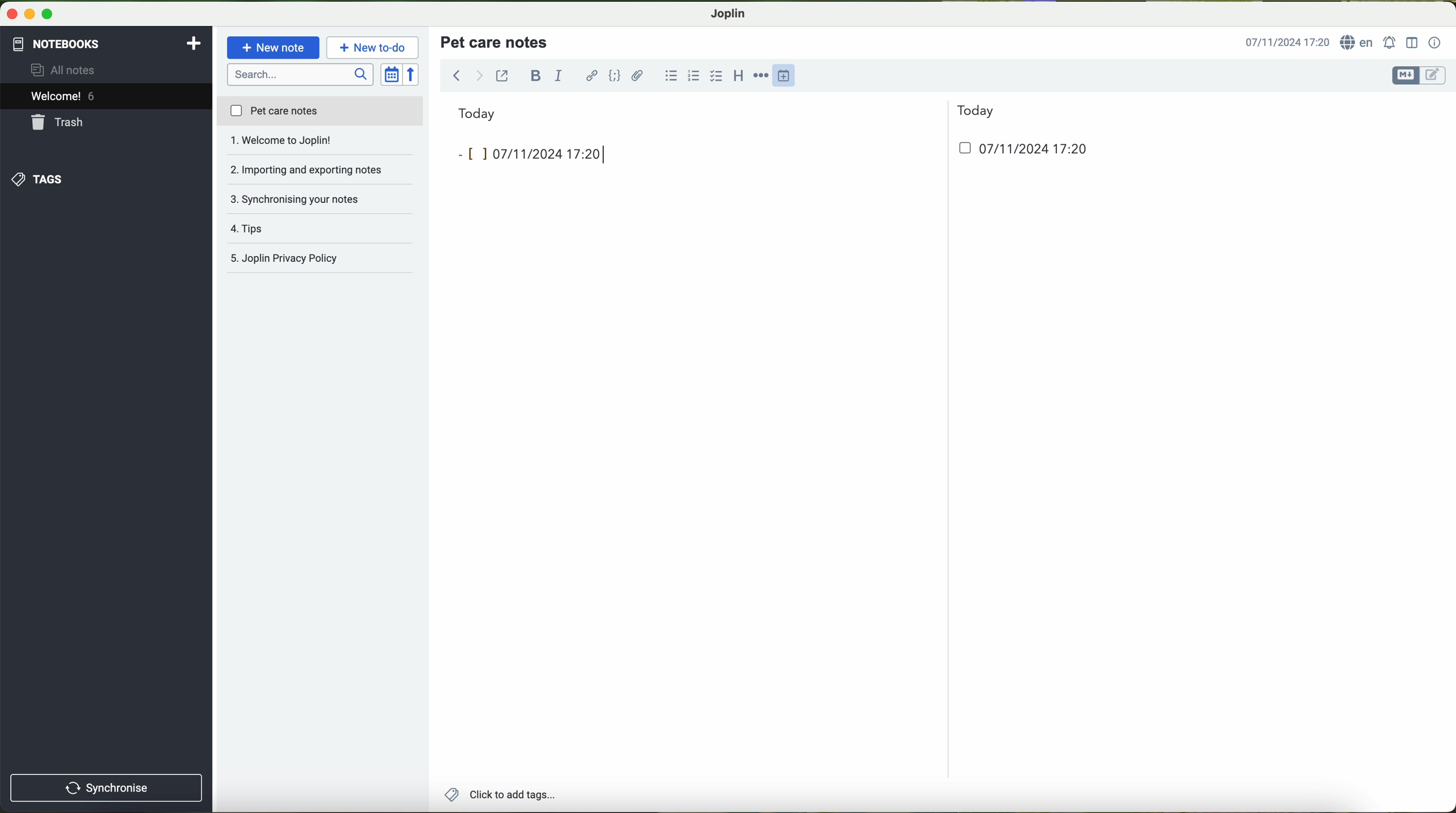 This screenshot has width=1456, height=813. I want to click on notebooks, so click(55, 42).